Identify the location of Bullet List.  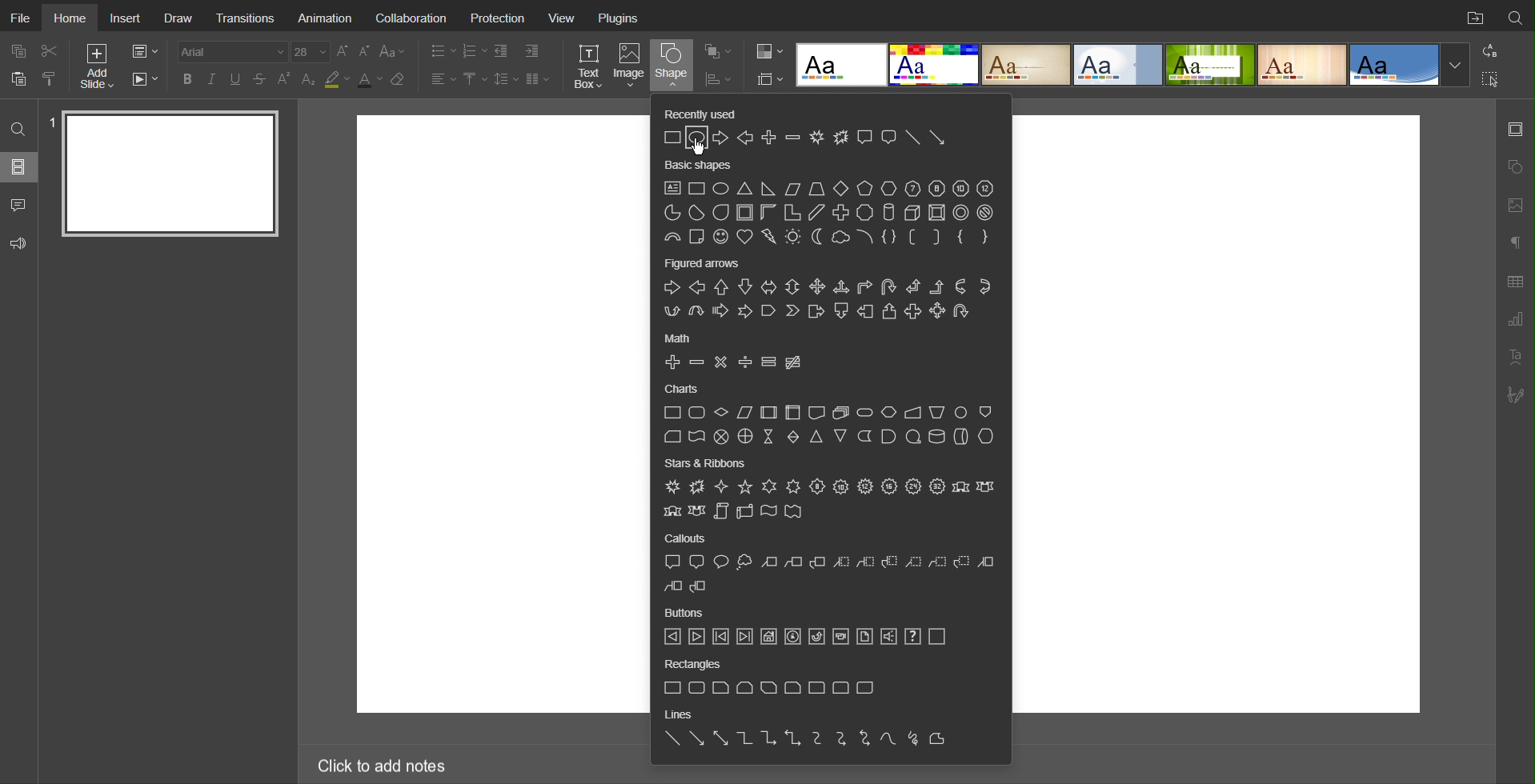
(439, 51).